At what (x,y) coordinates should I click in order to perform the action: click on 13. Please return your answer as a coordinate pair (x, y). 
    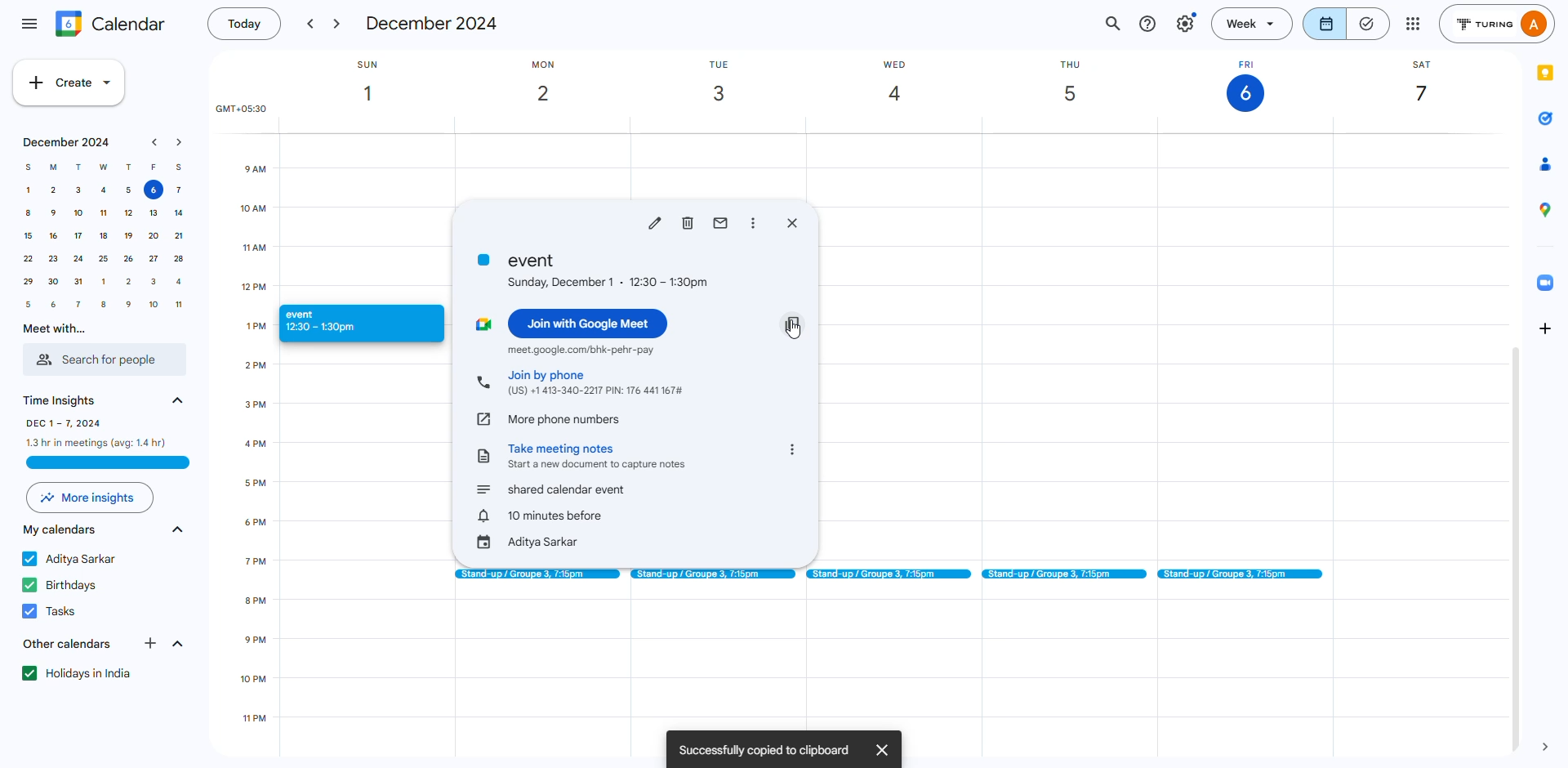
    Looking at the image, I should click on (151, 213).